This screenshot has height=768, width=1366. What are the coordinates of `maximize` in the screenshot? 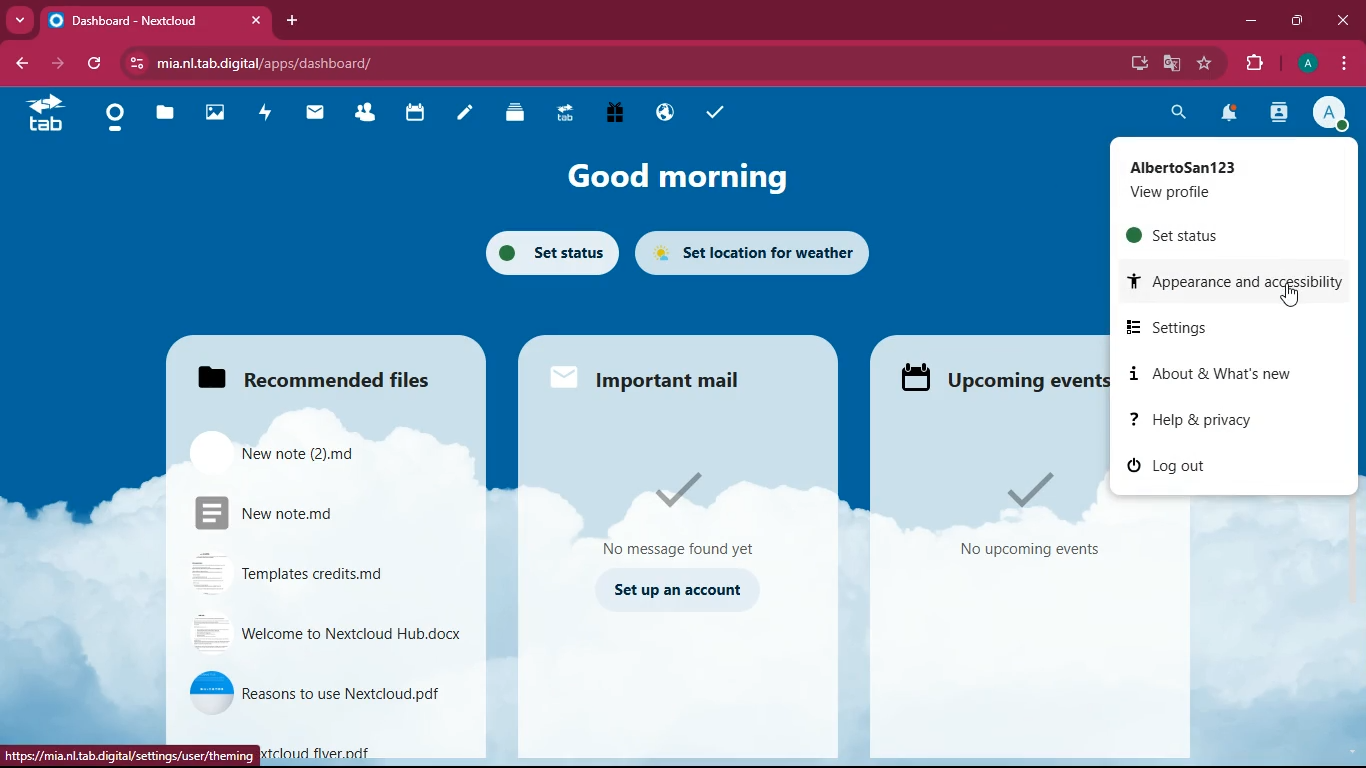 It's located at (1299, 20).